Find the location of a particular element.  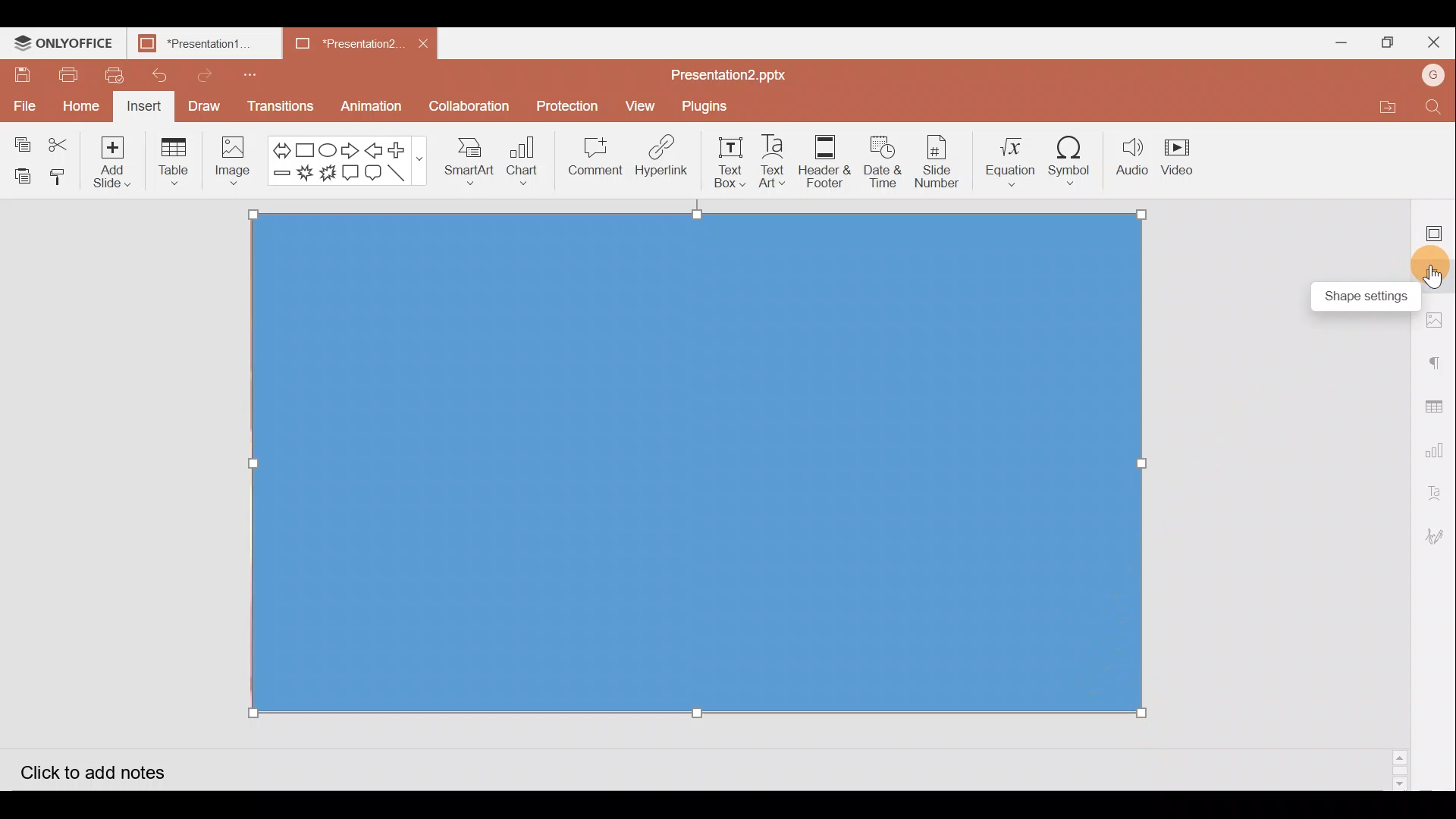

Click to add notes is located at coordinates (104, 767).